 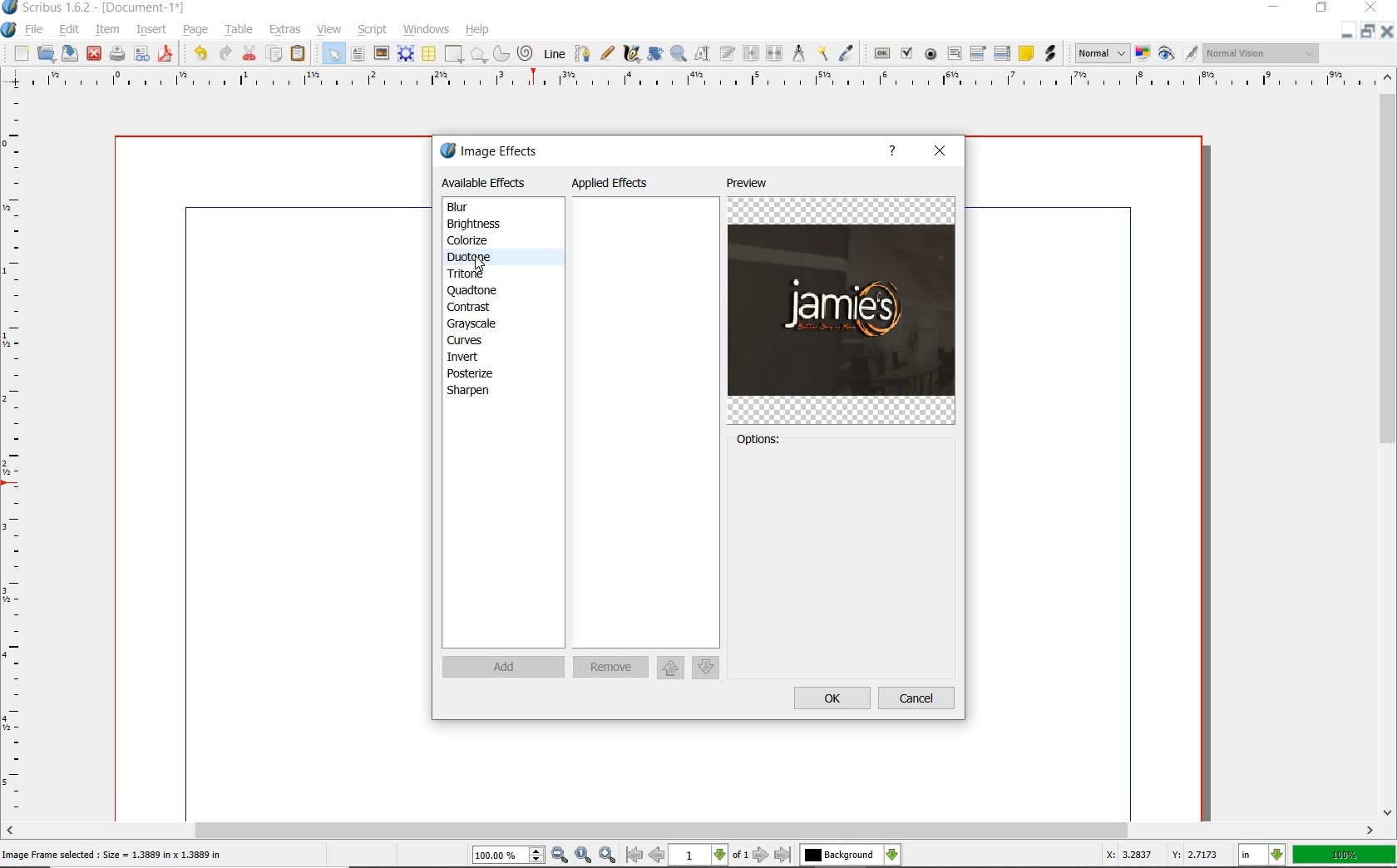 What do you see at coordinates (702, 53) in the screenshot?
I see `edit contents of frame` at bounding box center [702, 53].